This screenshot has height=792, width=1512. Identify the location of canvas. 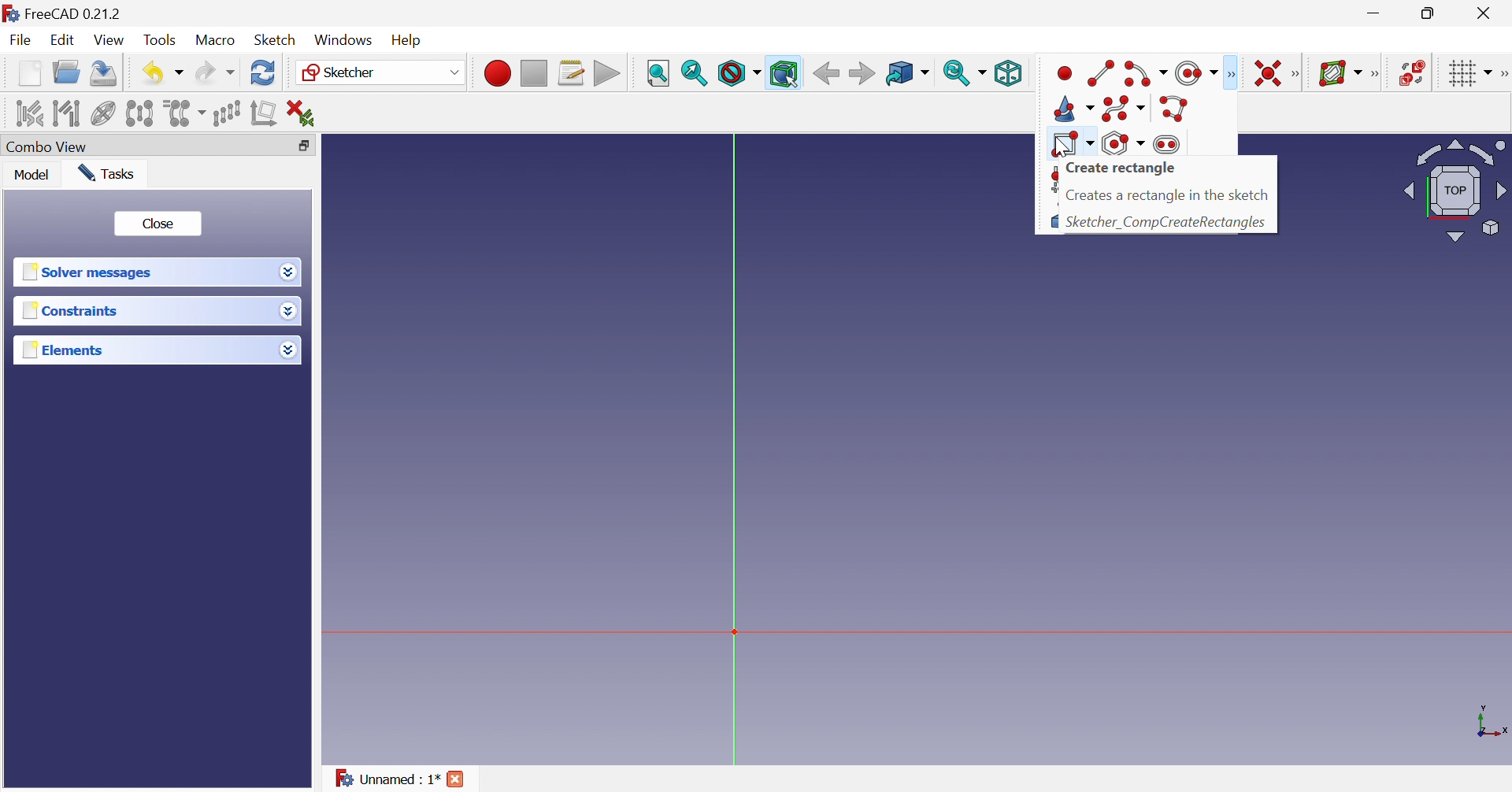
(825, 489).